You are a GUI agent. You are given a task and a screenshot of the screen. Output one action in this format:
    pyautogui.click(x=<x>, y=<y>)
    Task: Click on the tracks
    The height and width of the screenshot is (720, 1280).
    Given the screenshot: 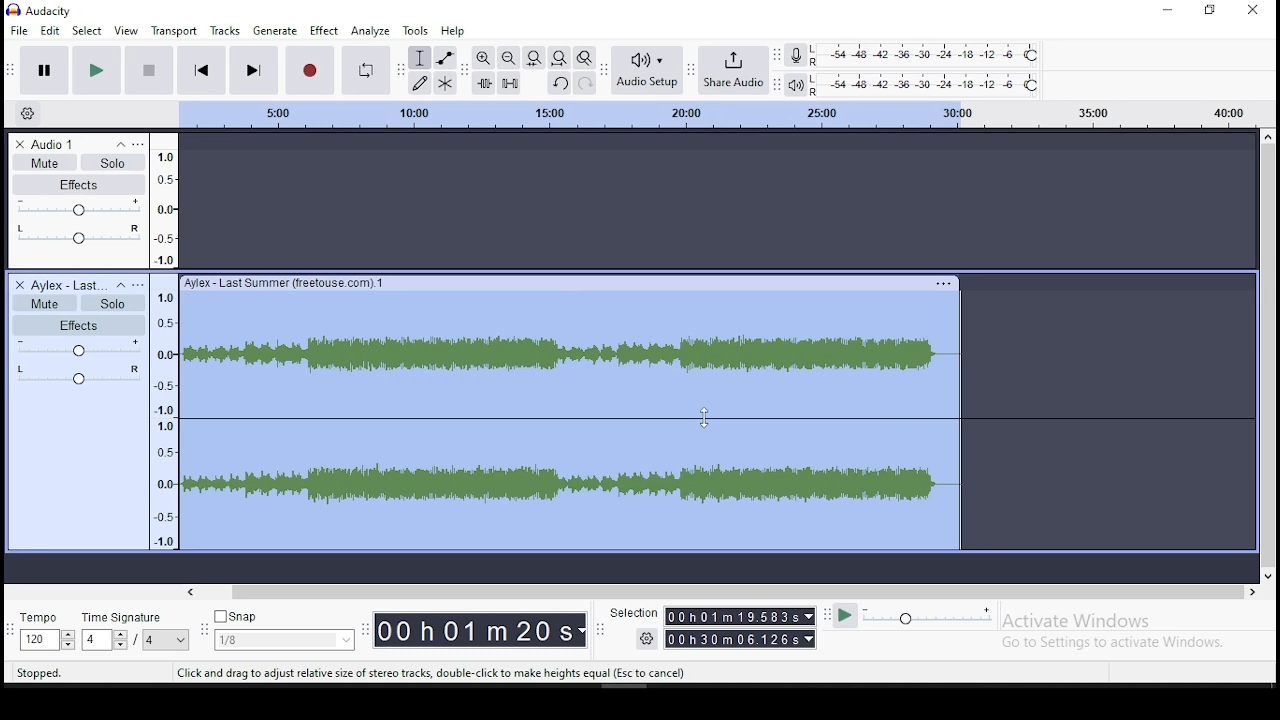 What is the action you would take?
    pyautogui.click(x=226, y=30)
    